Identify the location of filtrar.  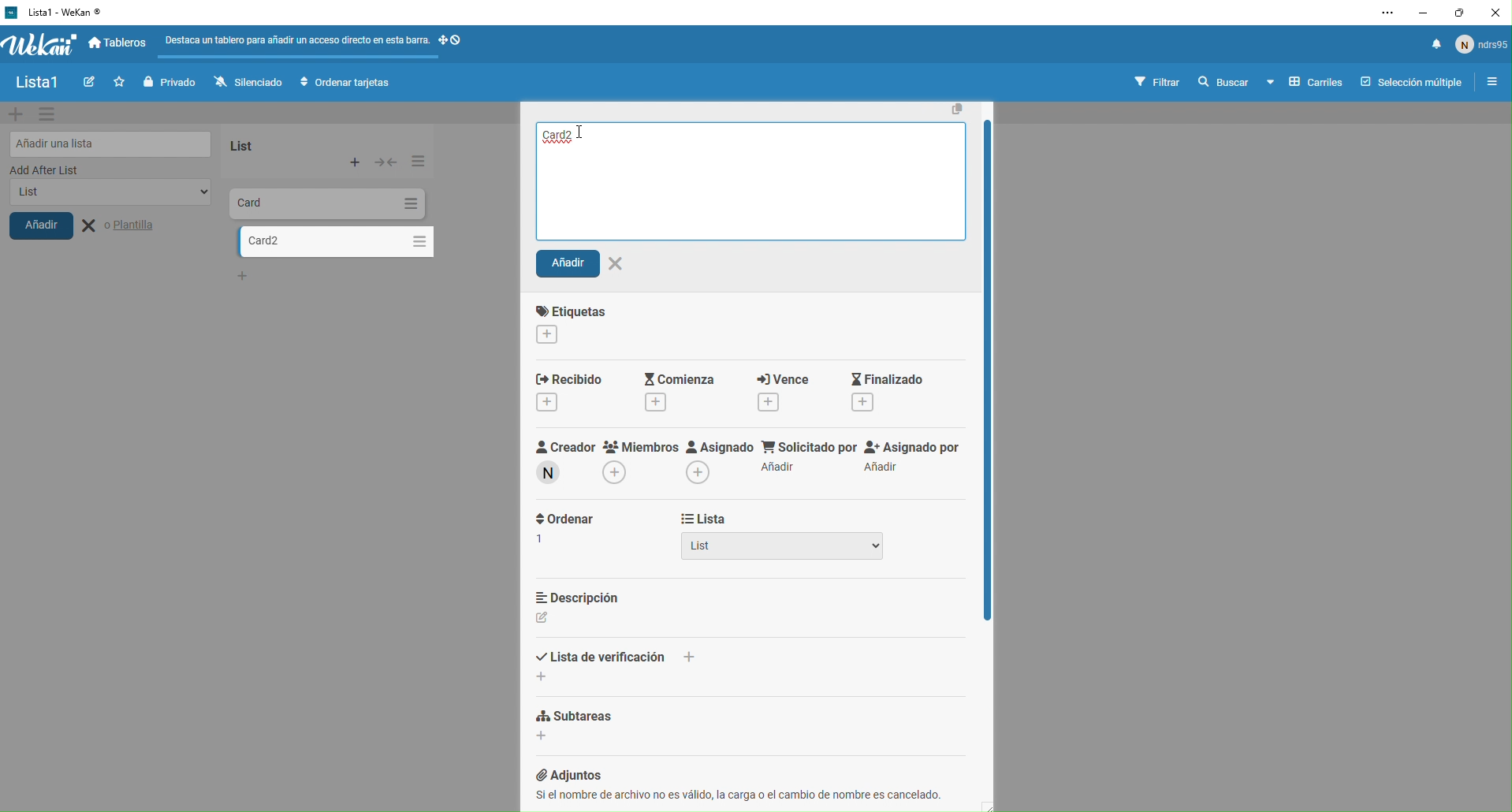
(1159, 81).